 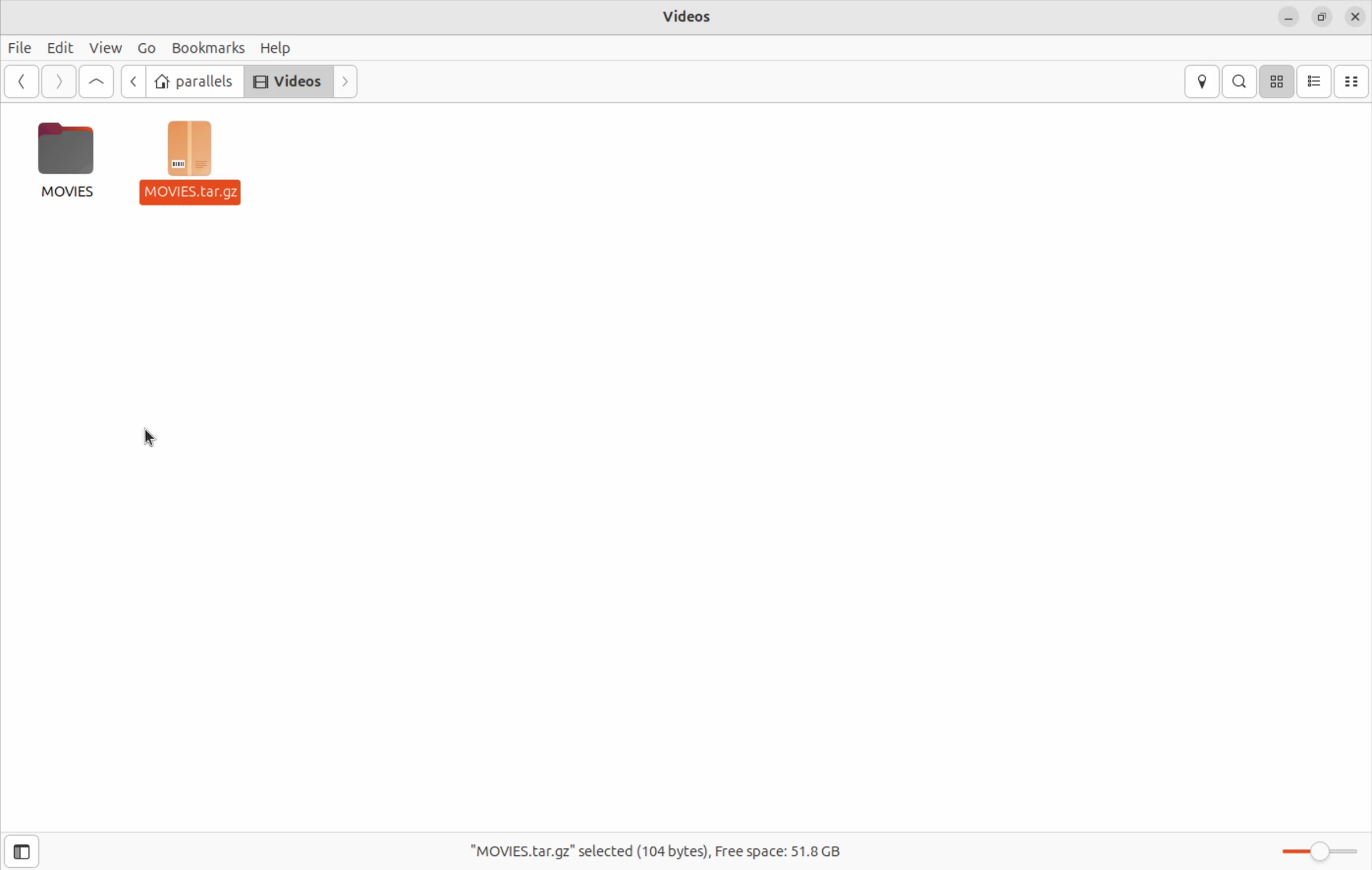 What do you see at coordinates (132, 83) in the screenshot?
I see `previous file` at bounding box center [132, 83].